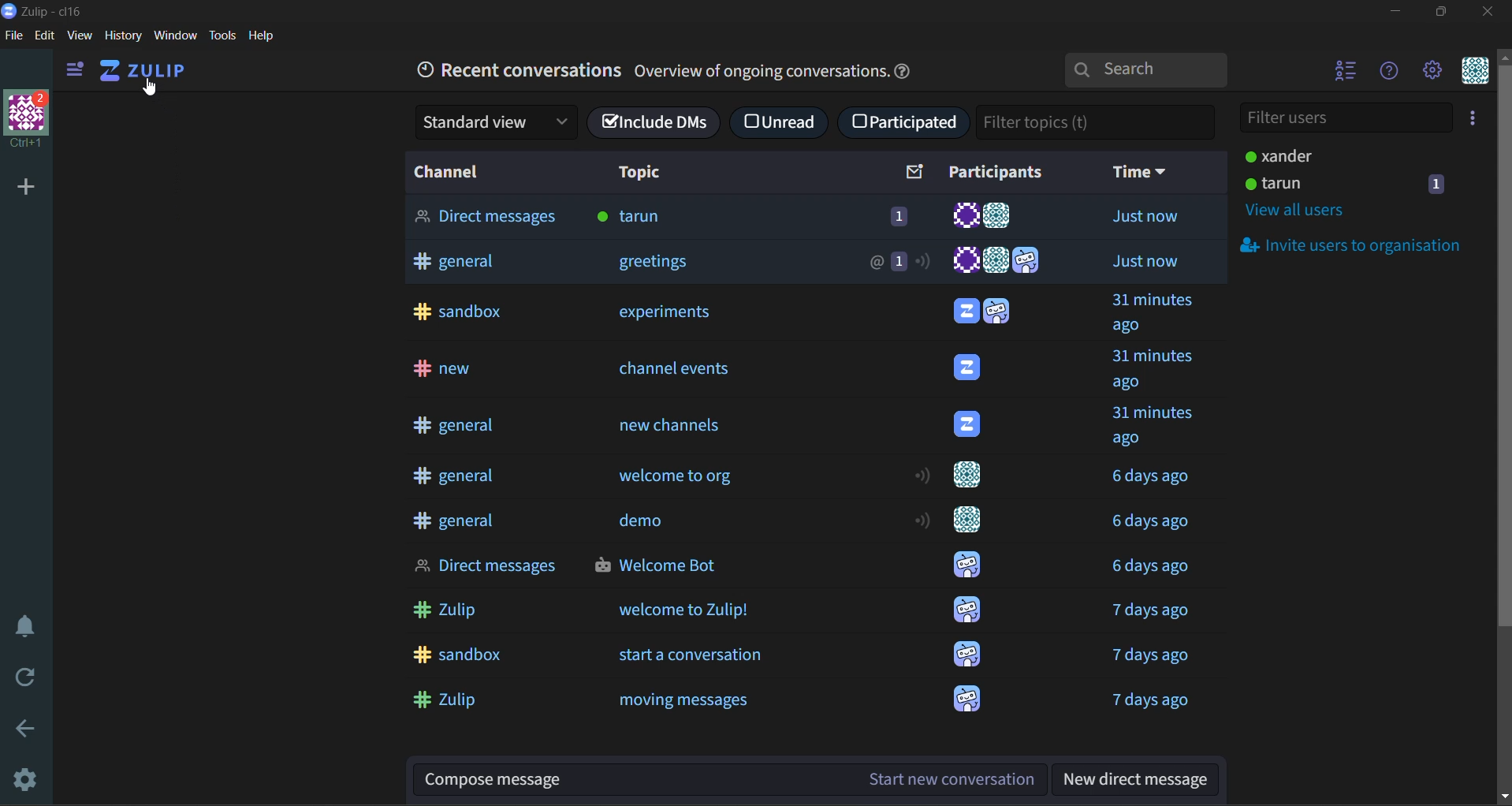  Describe the element at coordinates (1146, 216) in the screenshot. I see `Time` at that location.